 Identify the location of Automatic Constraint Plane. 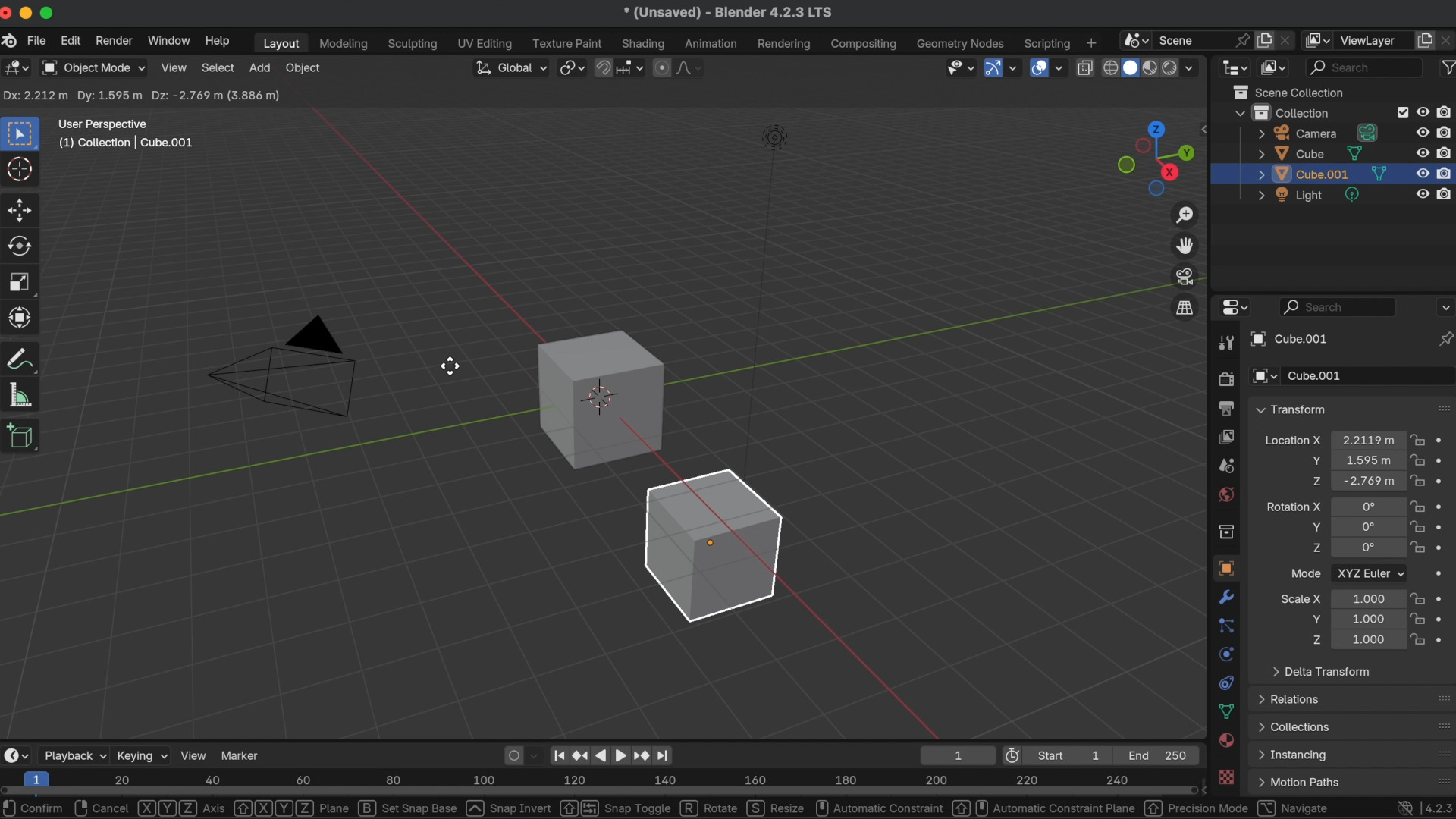
(1044, 808).